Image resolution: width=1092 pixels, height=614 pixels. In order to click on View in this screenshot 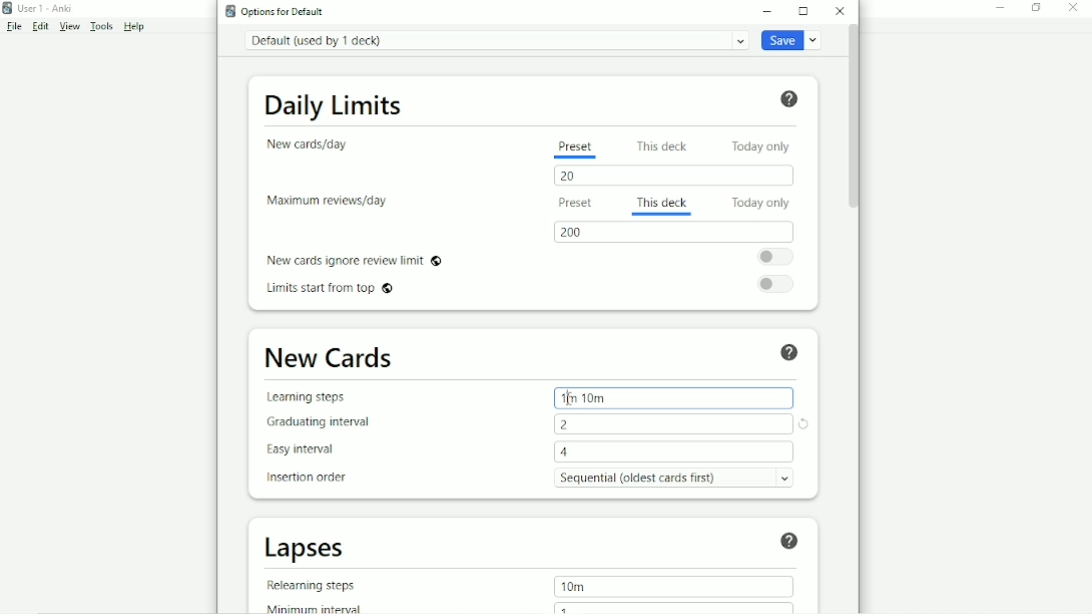, I will do `click(70, 27)`.